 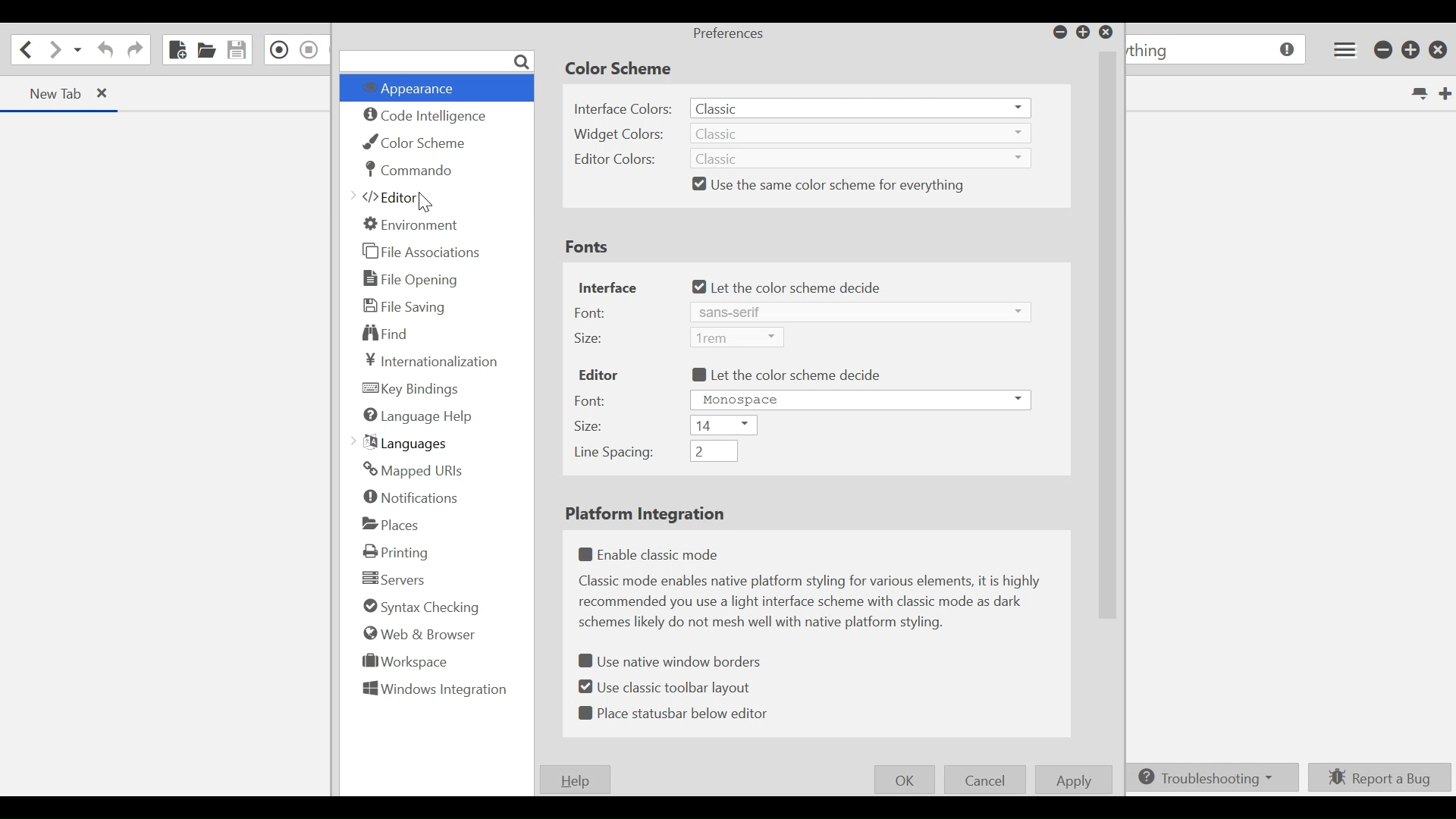 What do you see at coordinates (1345, 49) in the screenshot?
I see `Application menu` at bounding box center [1345, 49].